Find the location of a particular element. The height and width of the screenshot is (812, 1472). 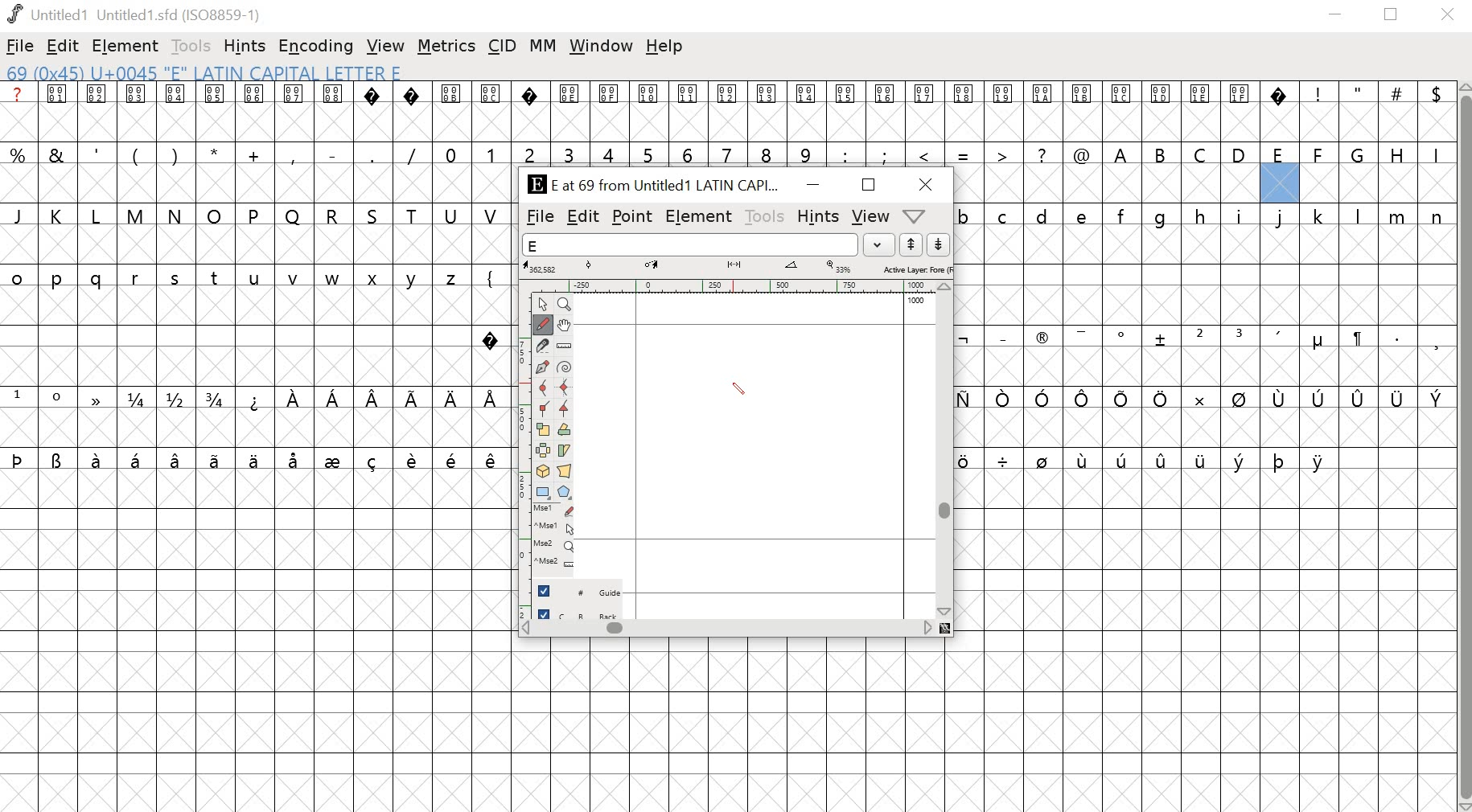

scrollbar is located at coordinates (734, 630).